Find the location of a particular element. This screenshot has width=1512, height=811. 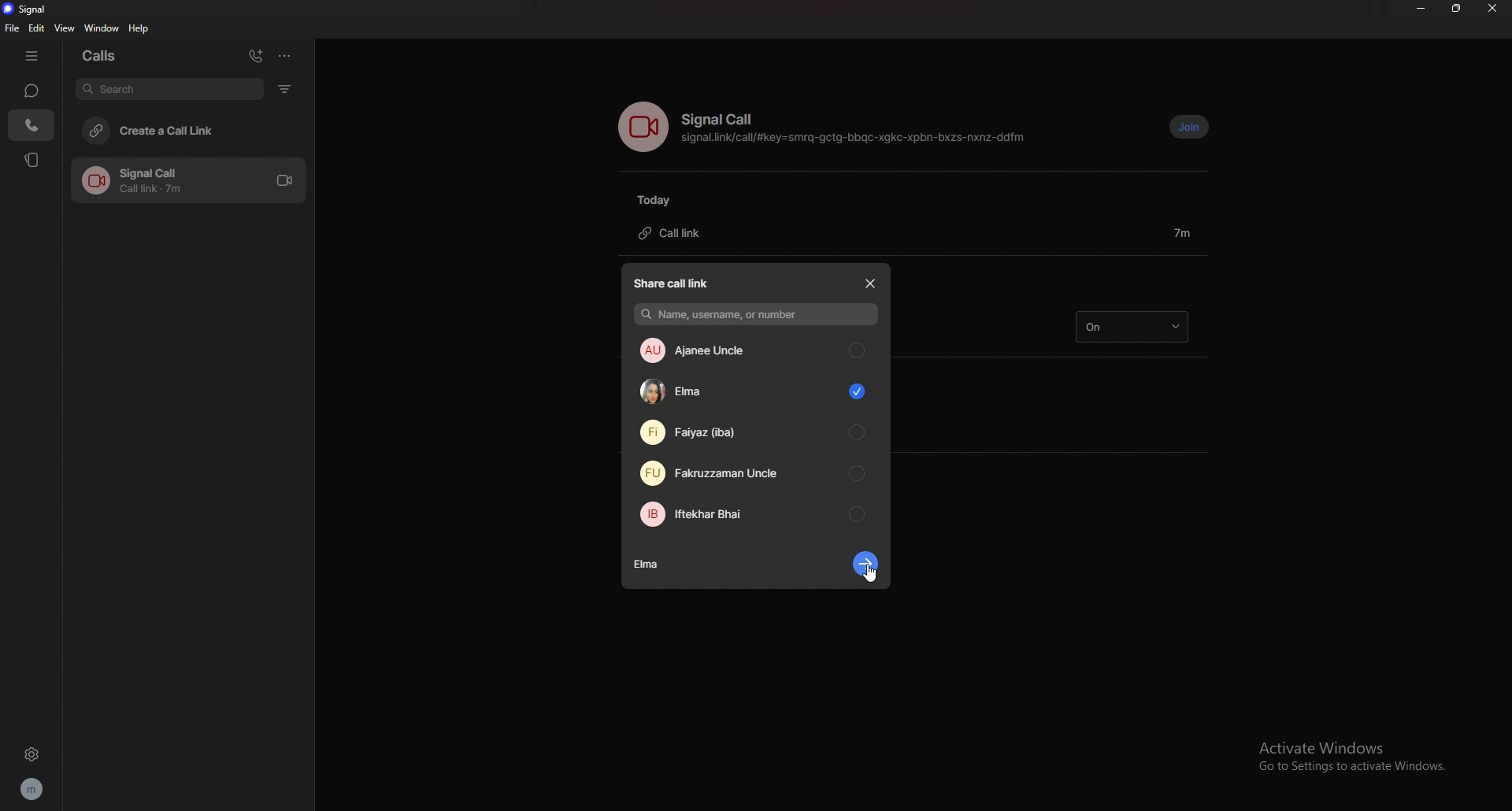

view is located at coordinates (64, 28).